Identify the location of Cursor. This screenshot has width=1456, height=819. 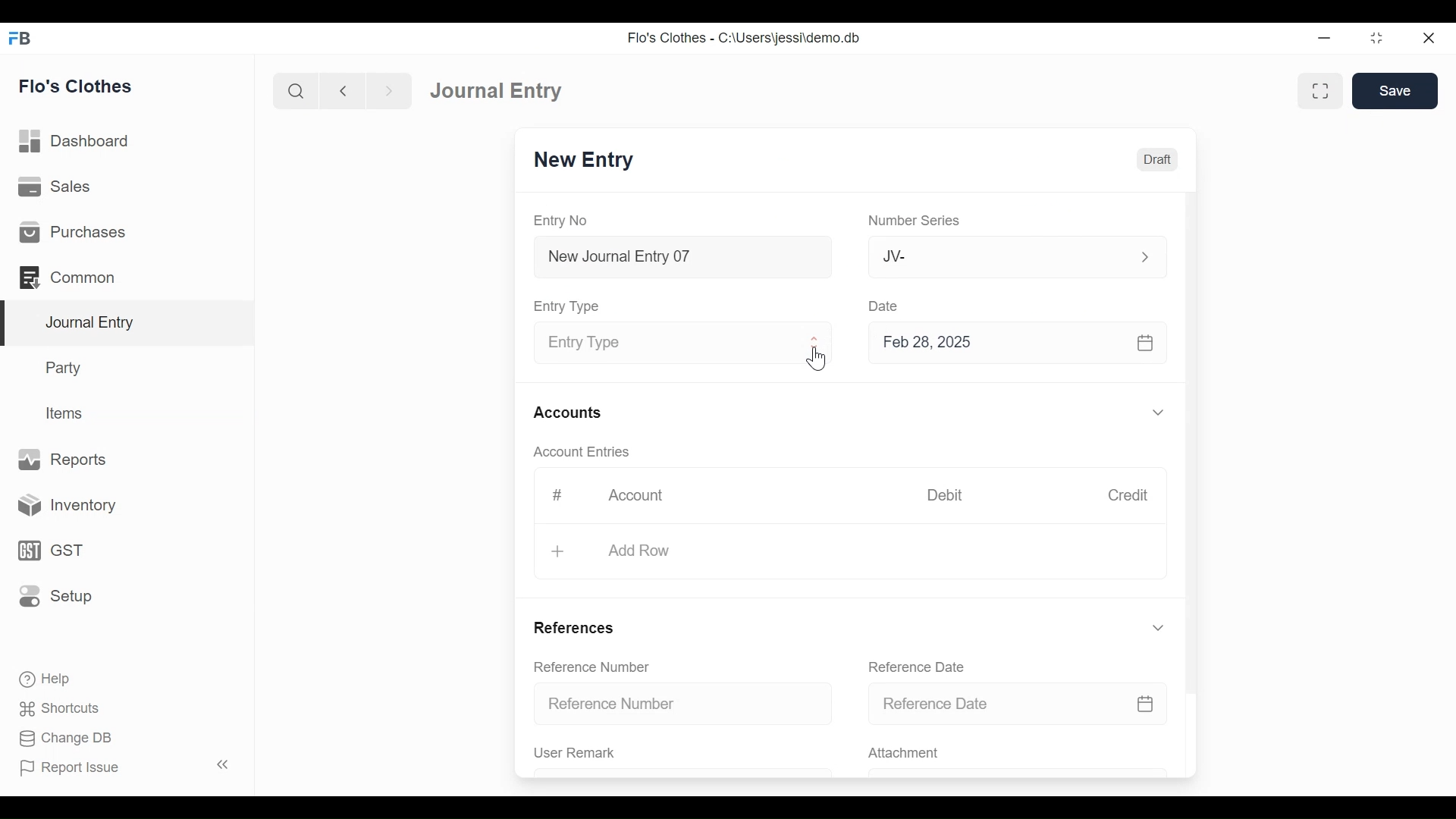
(820, 360).